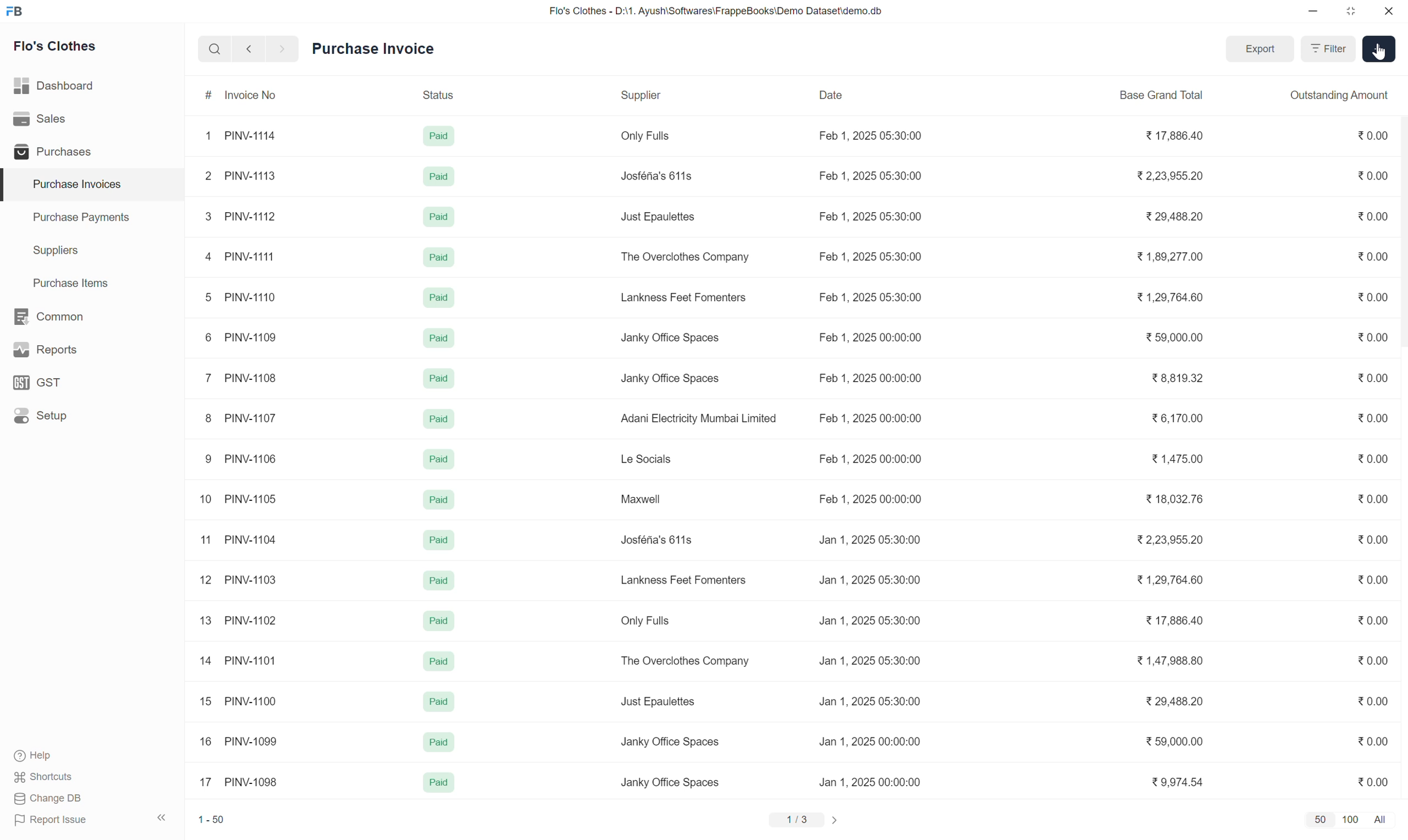 This screenshot has height=840, width=1408. Describe the element at coordinates (1372, 418) in the screenshot. I see `0.00` at that location.